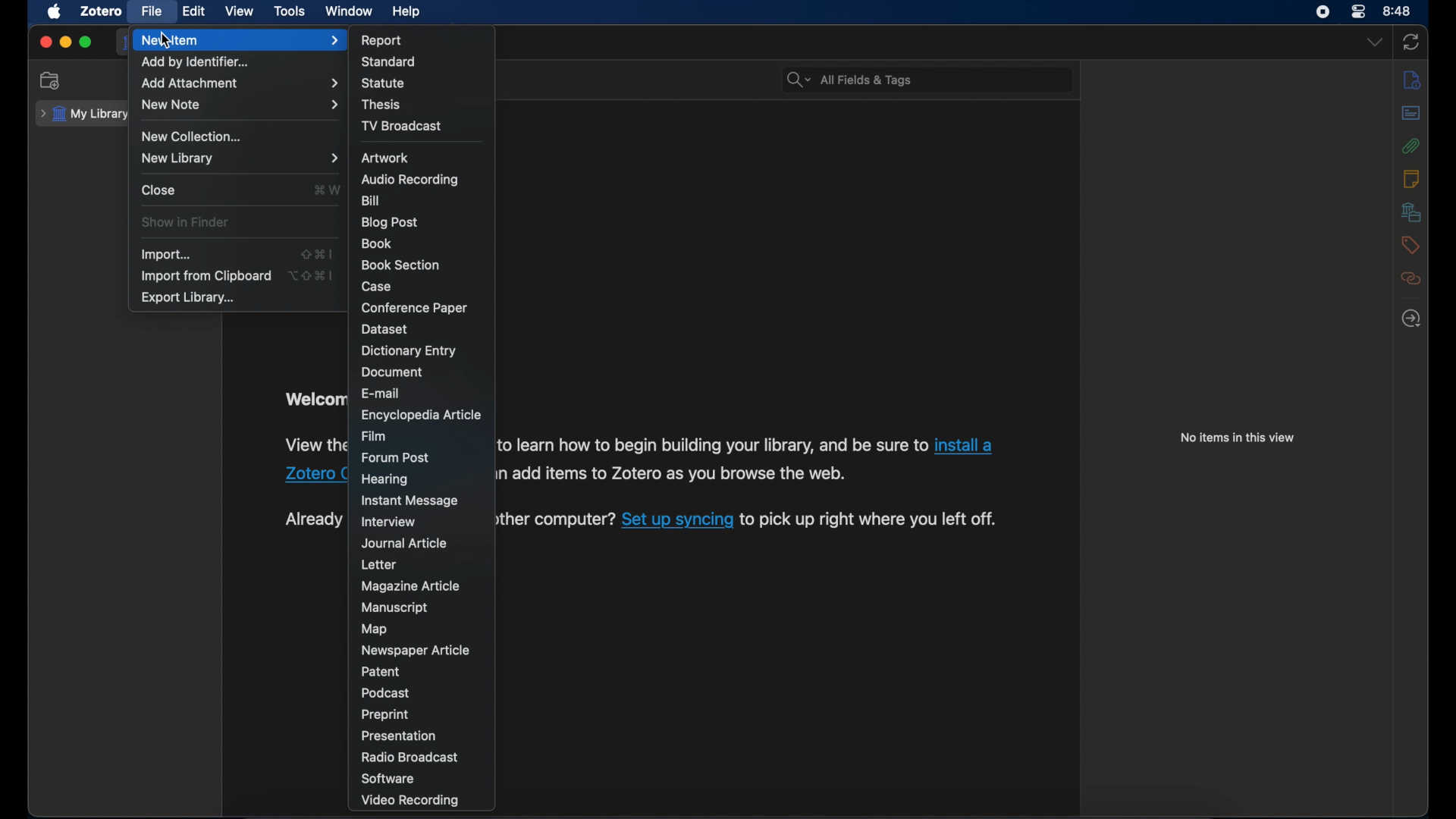 This screenshot has width=1456, height=819. Describe the element at coordinates (1375, 43) in the screenshot. I see `dropdown` at that location.